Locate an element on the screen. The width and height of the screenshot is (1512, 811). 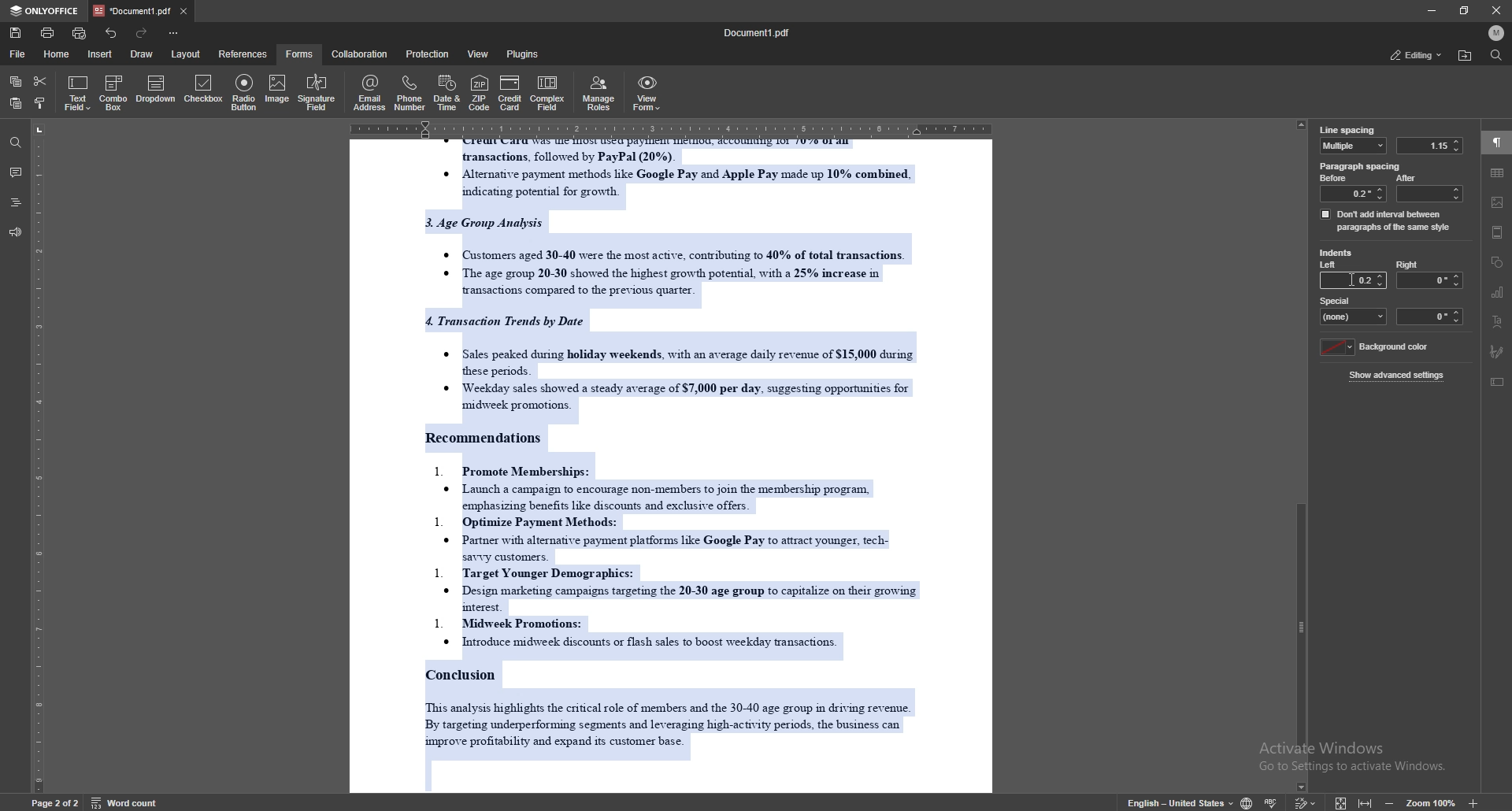
zoom out is located at coordinates (1392, 801).